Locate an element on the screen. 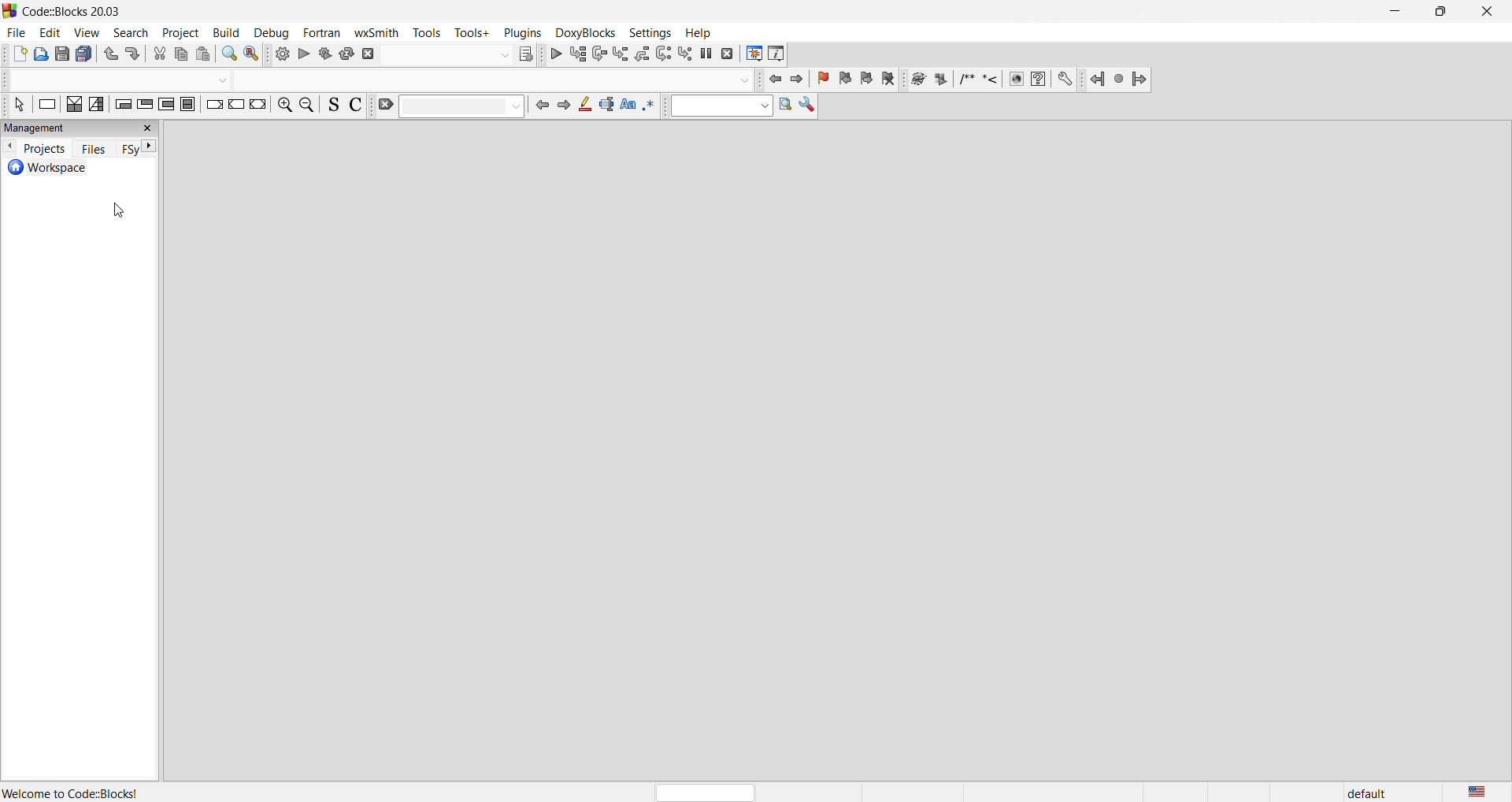 Image resolution: width=1512 pixels, height=802 pixels. previous is located at coordinates (539, 108).